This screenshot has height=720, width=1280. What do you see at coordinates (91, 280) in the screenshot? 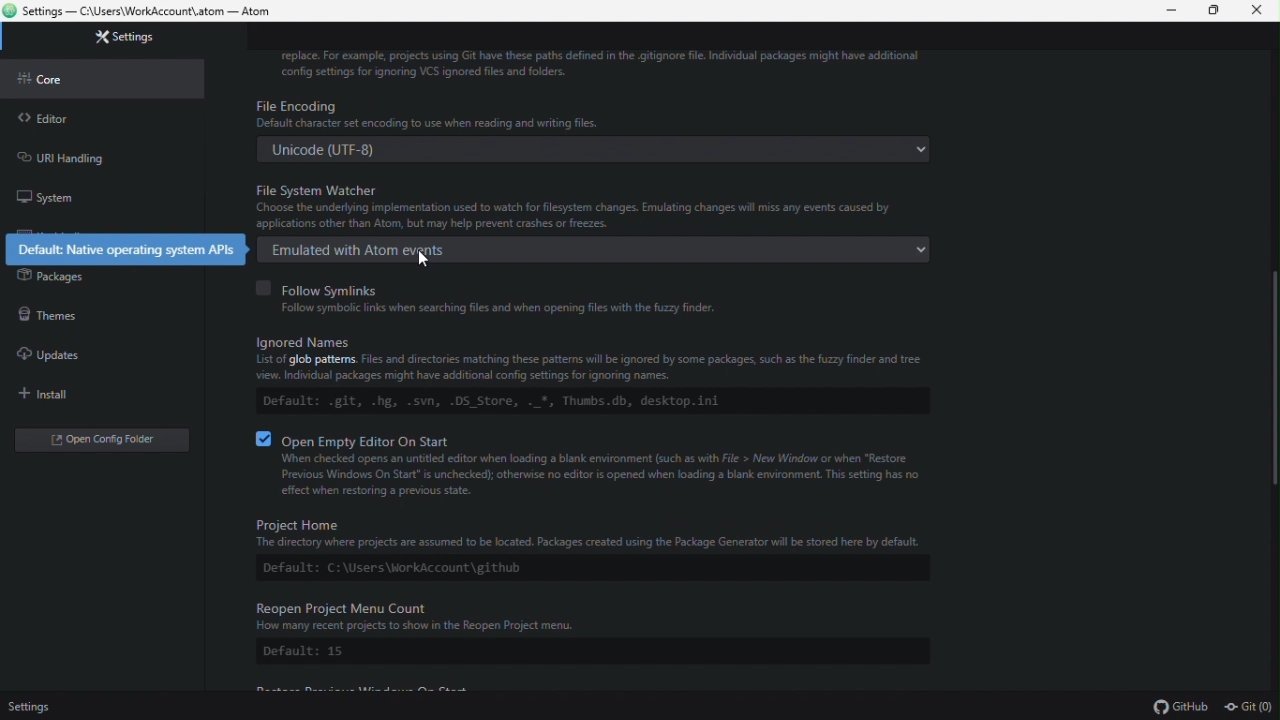
I see `packages` at bounding box center [91, 280].